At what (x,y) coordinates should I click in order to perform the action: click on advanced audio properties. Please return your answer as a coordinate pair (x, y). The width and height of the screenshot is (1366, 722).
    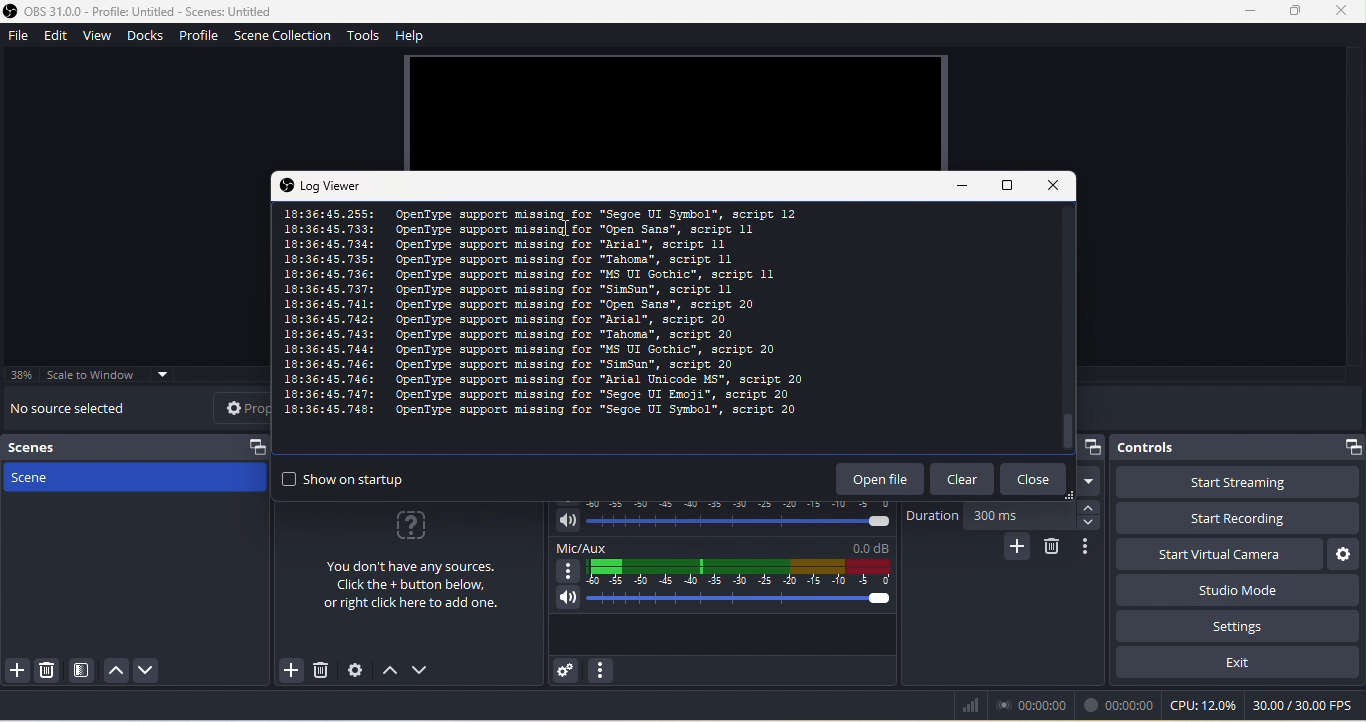
    Looking at the image, I should click on (568, 670).